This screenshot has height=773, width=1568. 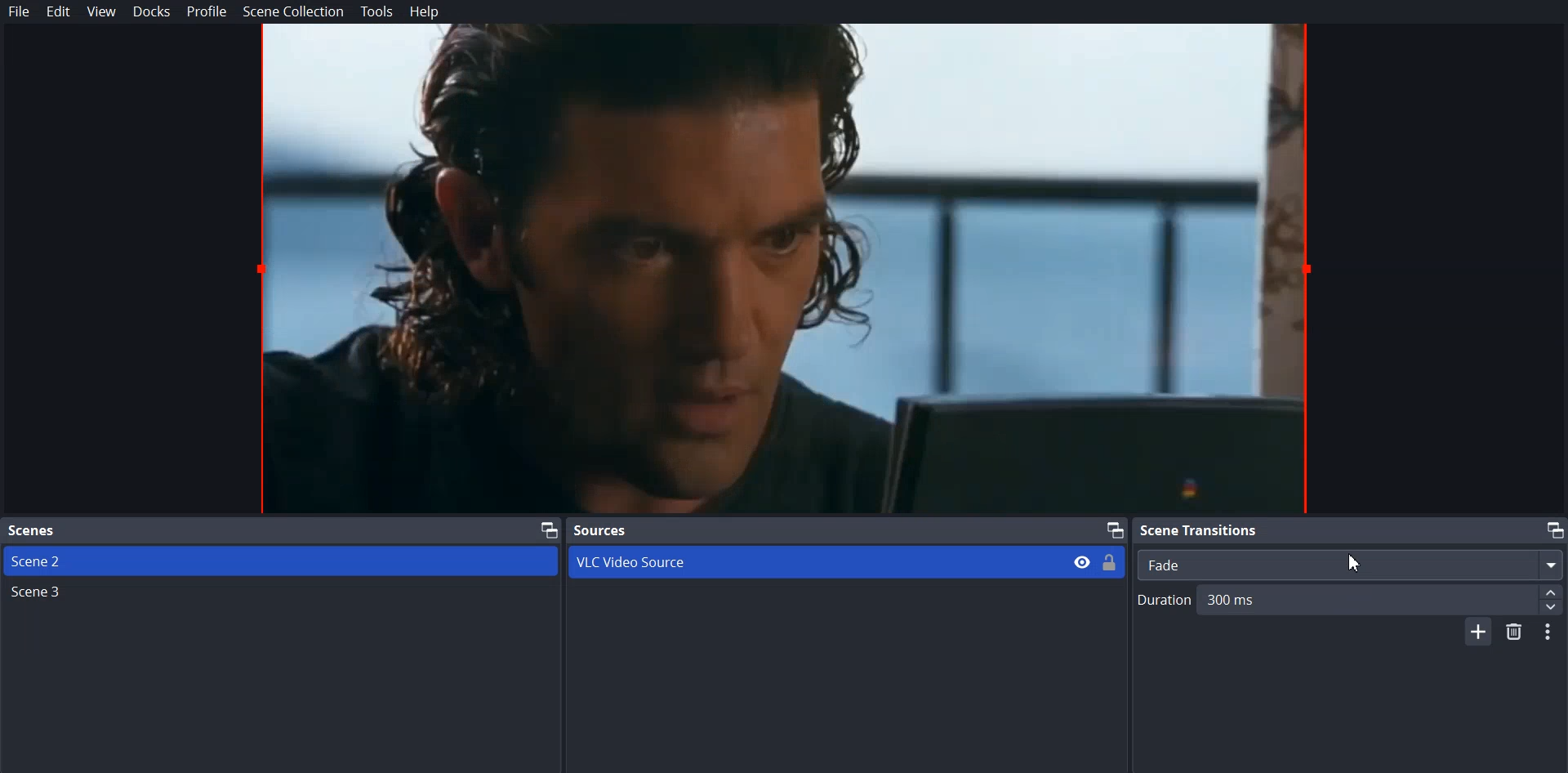 What do you see at coordinates (782, 270) in the screenshot?
I see `Source file preview` at bounding box center [782, 270].